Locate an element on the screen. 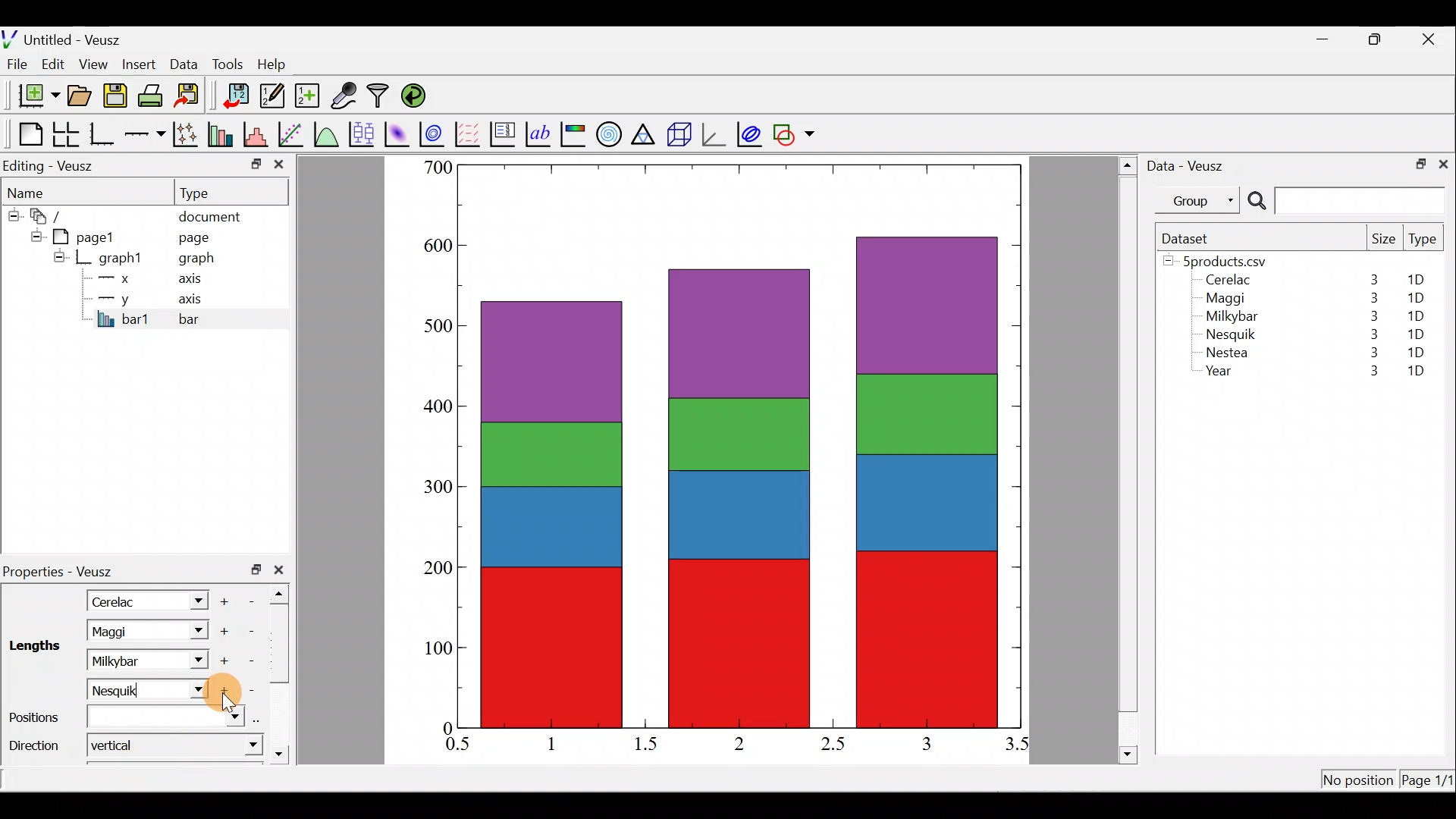 The height and width of the screenshot is (819, 1456). Remove item is located at coordinates (252, 660).